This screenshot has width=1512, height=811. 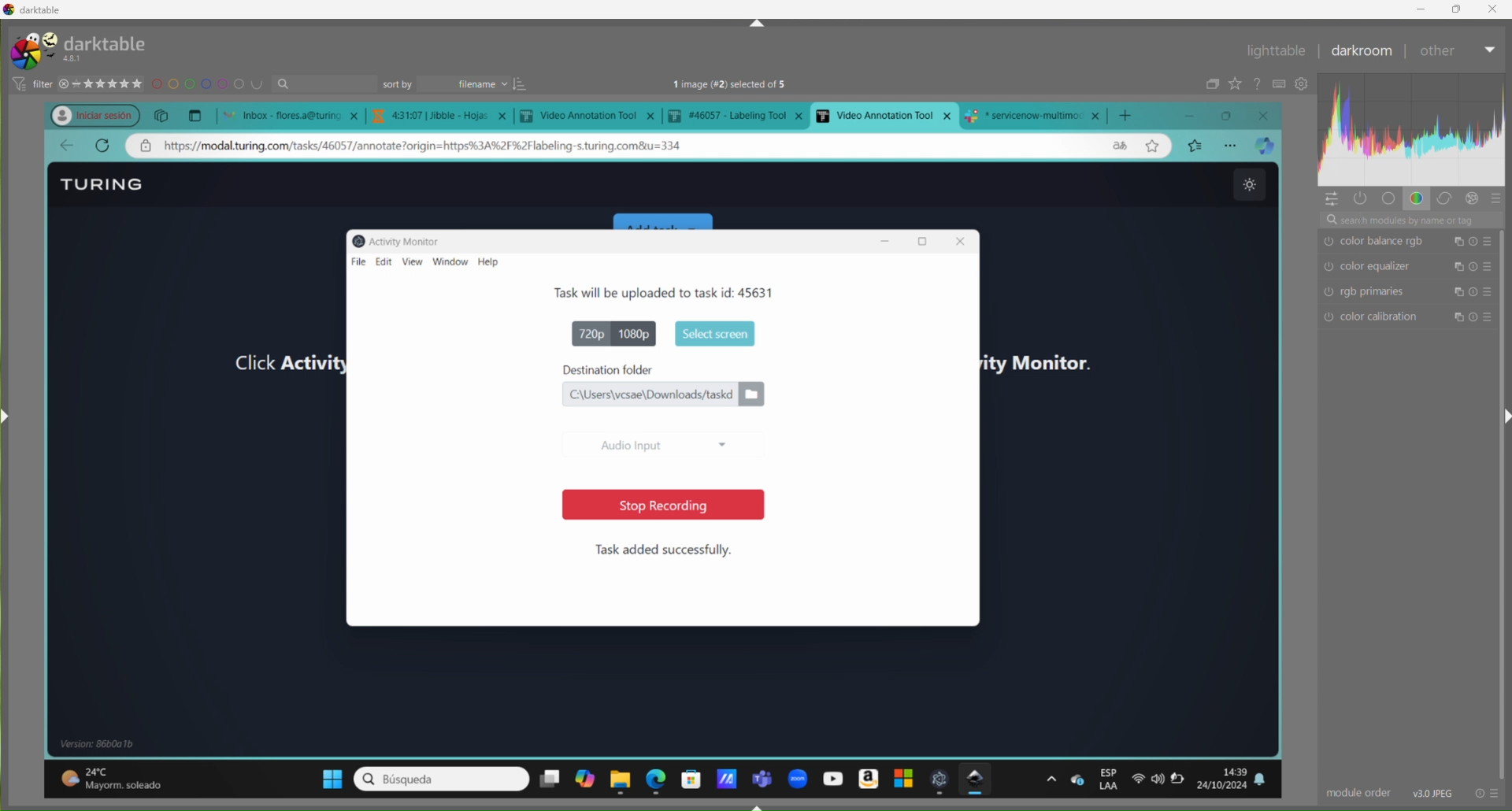 What do you see at coordinates (740, 115) in the screenshot?
I see `tab` at bounding box center [740, 115].